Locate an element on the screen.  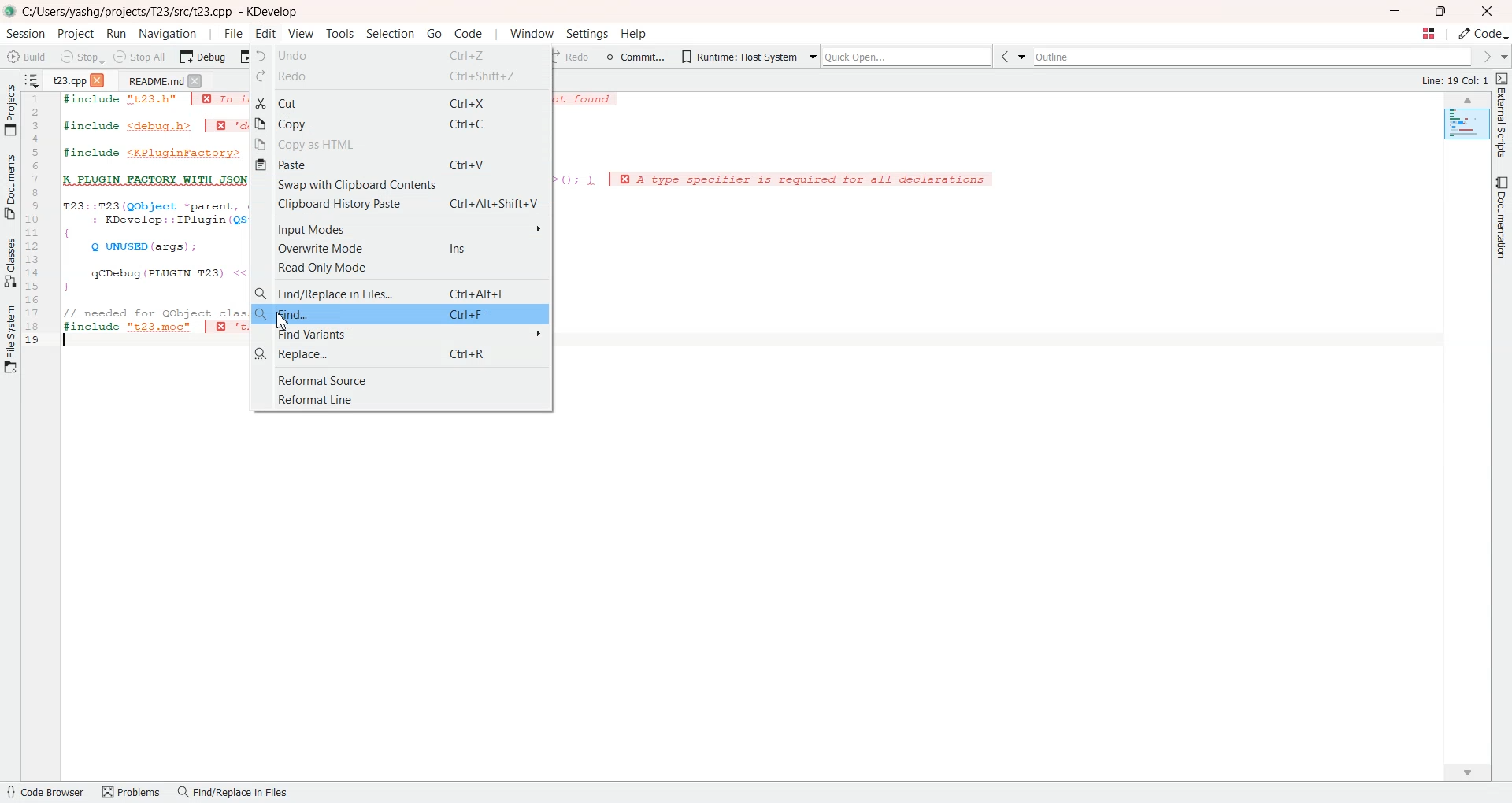
Read Only Mode is located at coordinates (402, 268).